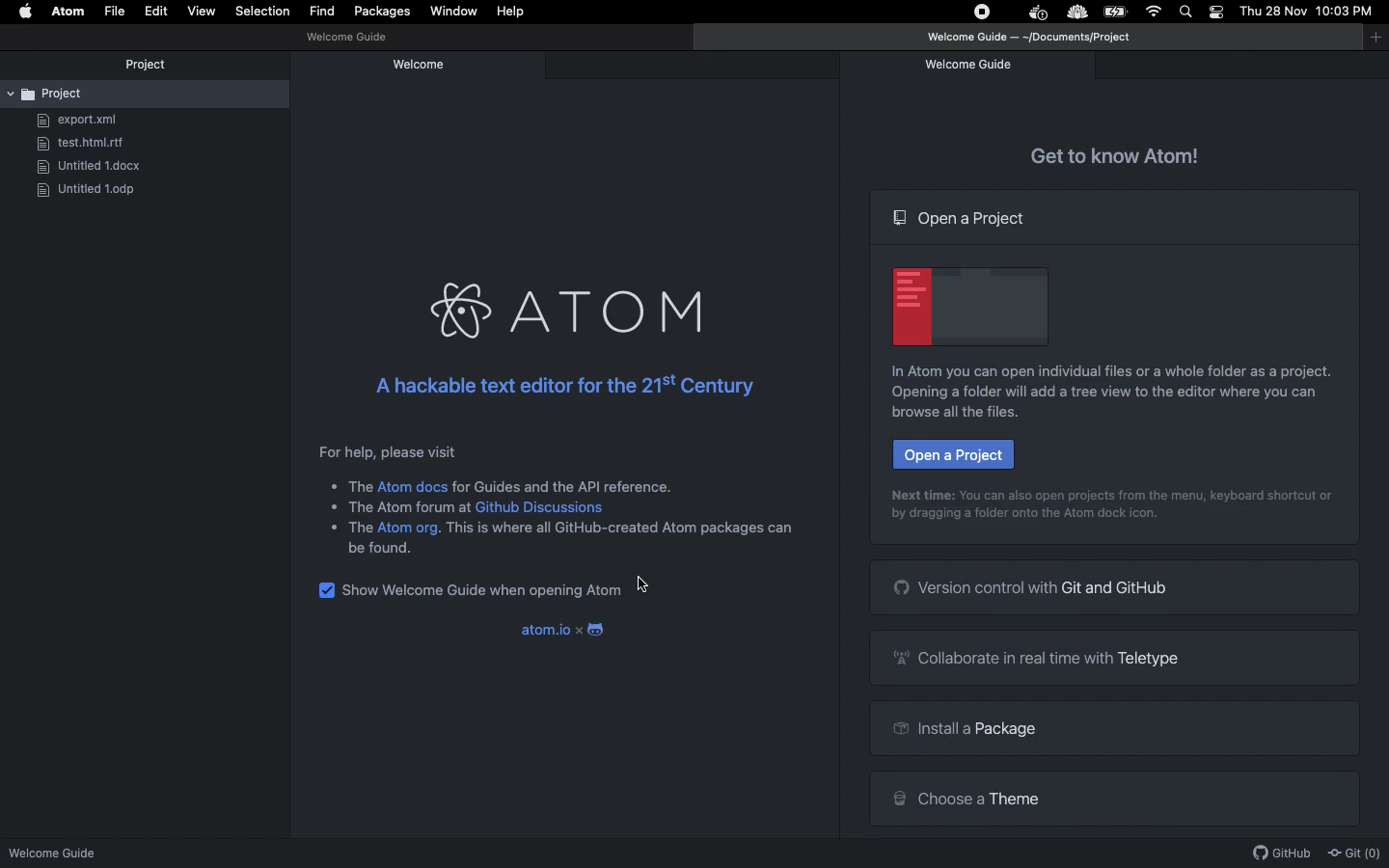  What do you see at coordinates (598, 628) in the screenshot?
I see `Logo` at bounding box center [598, 628].